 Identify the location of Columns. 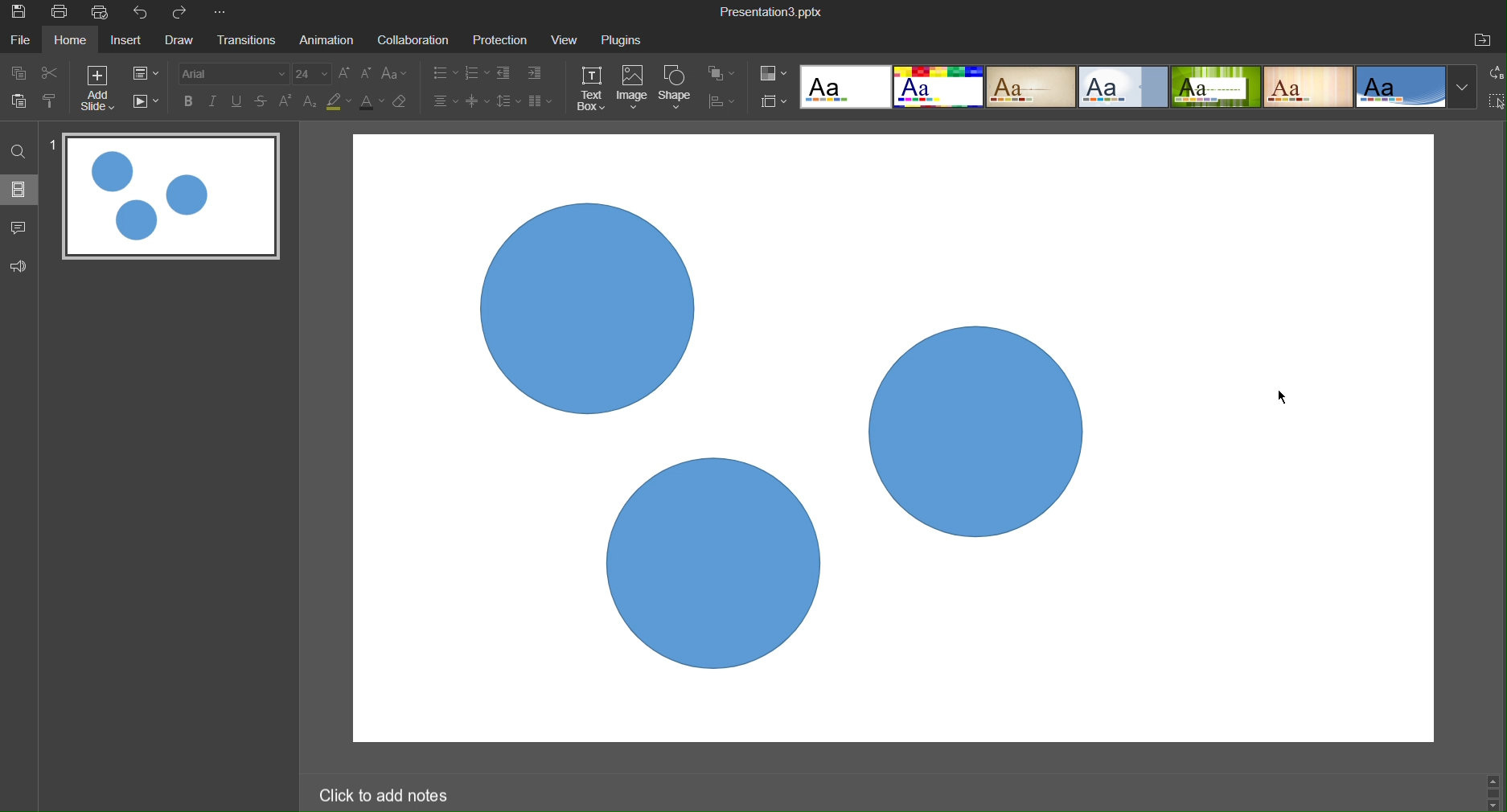
(543, 101).